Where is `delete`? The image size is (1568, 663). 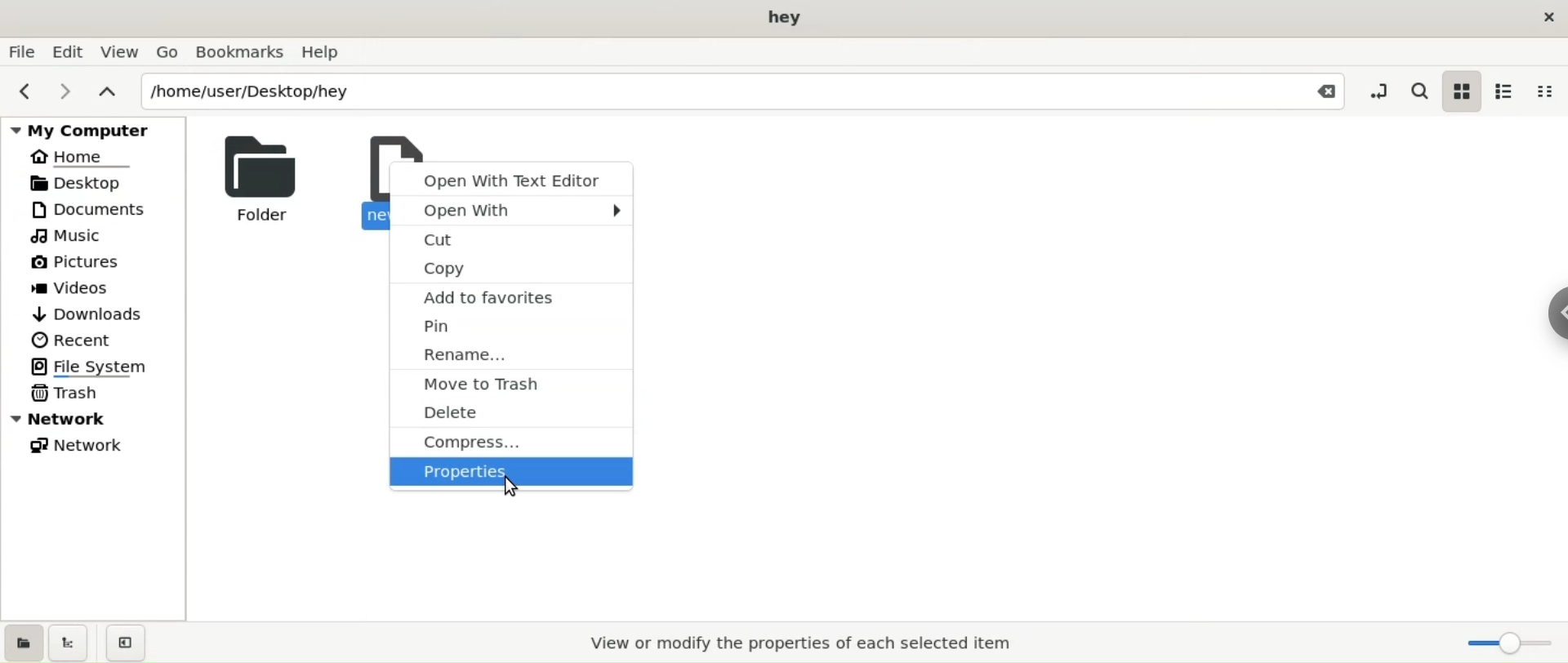
delete is located at coordinates (510, 409).